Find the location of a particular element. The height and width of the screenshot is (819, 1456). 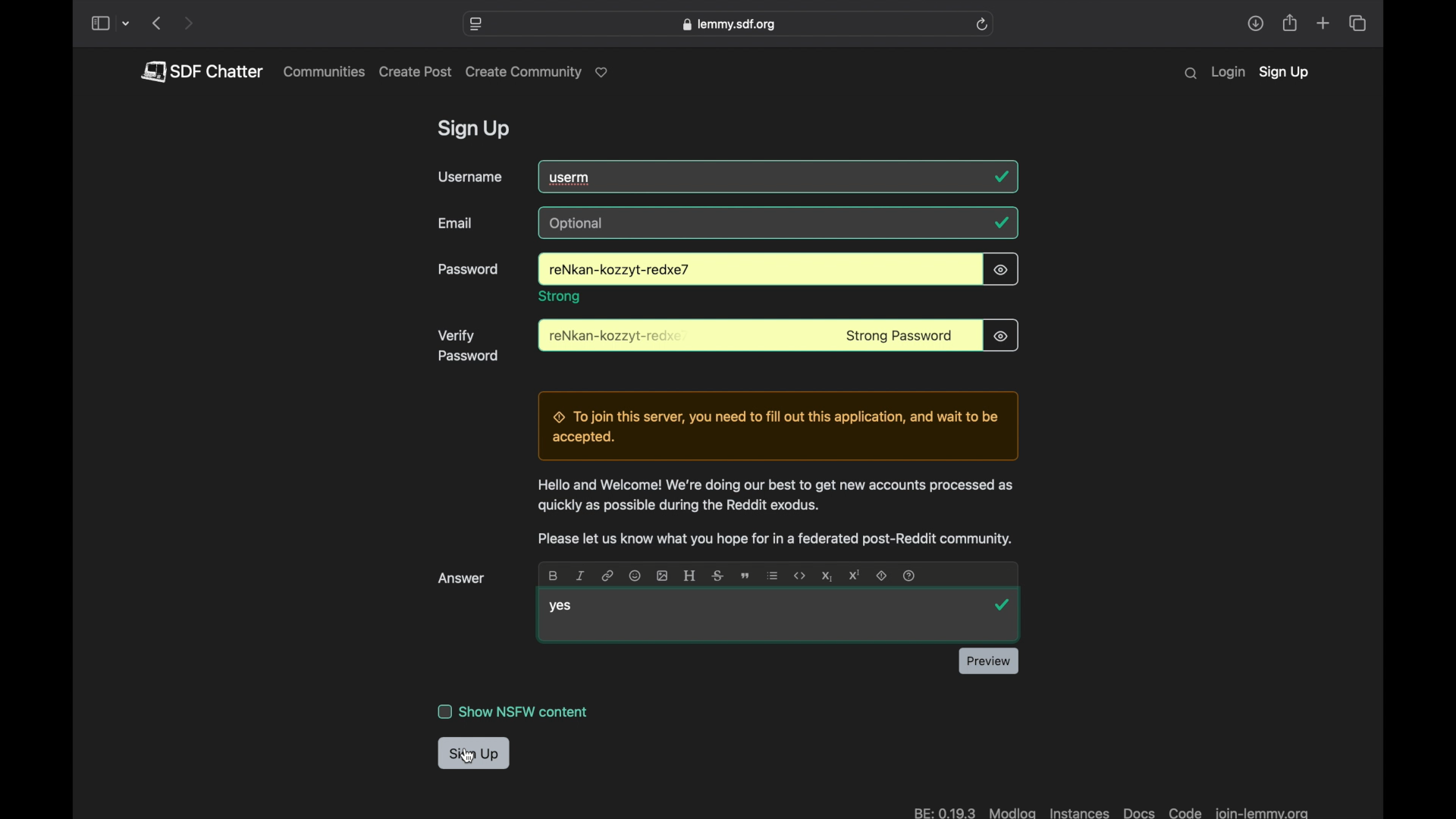

refresh is located at coordinates (982, 24).